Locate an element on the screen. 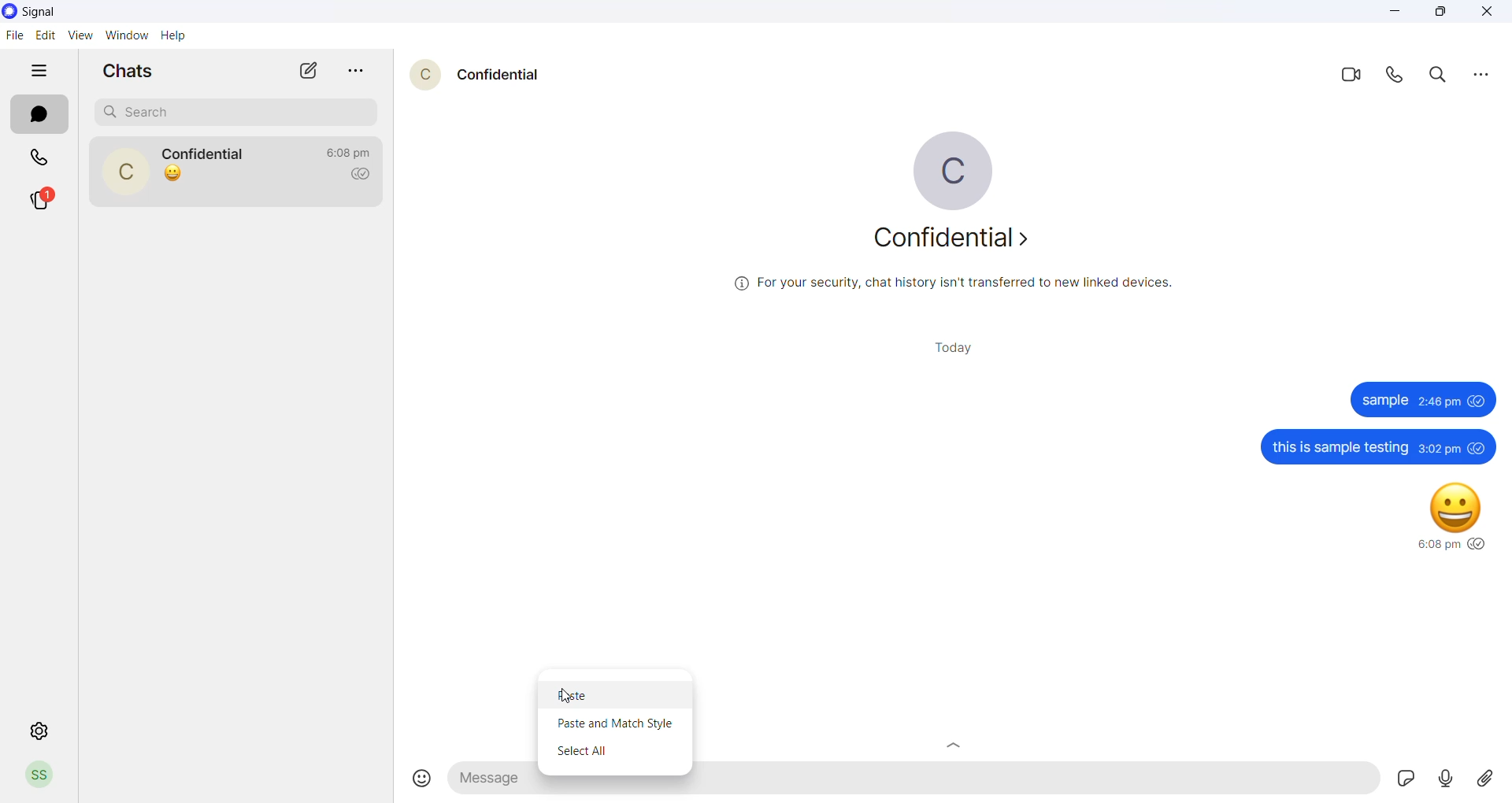  application name and logo is located at coordinates (46, 12).